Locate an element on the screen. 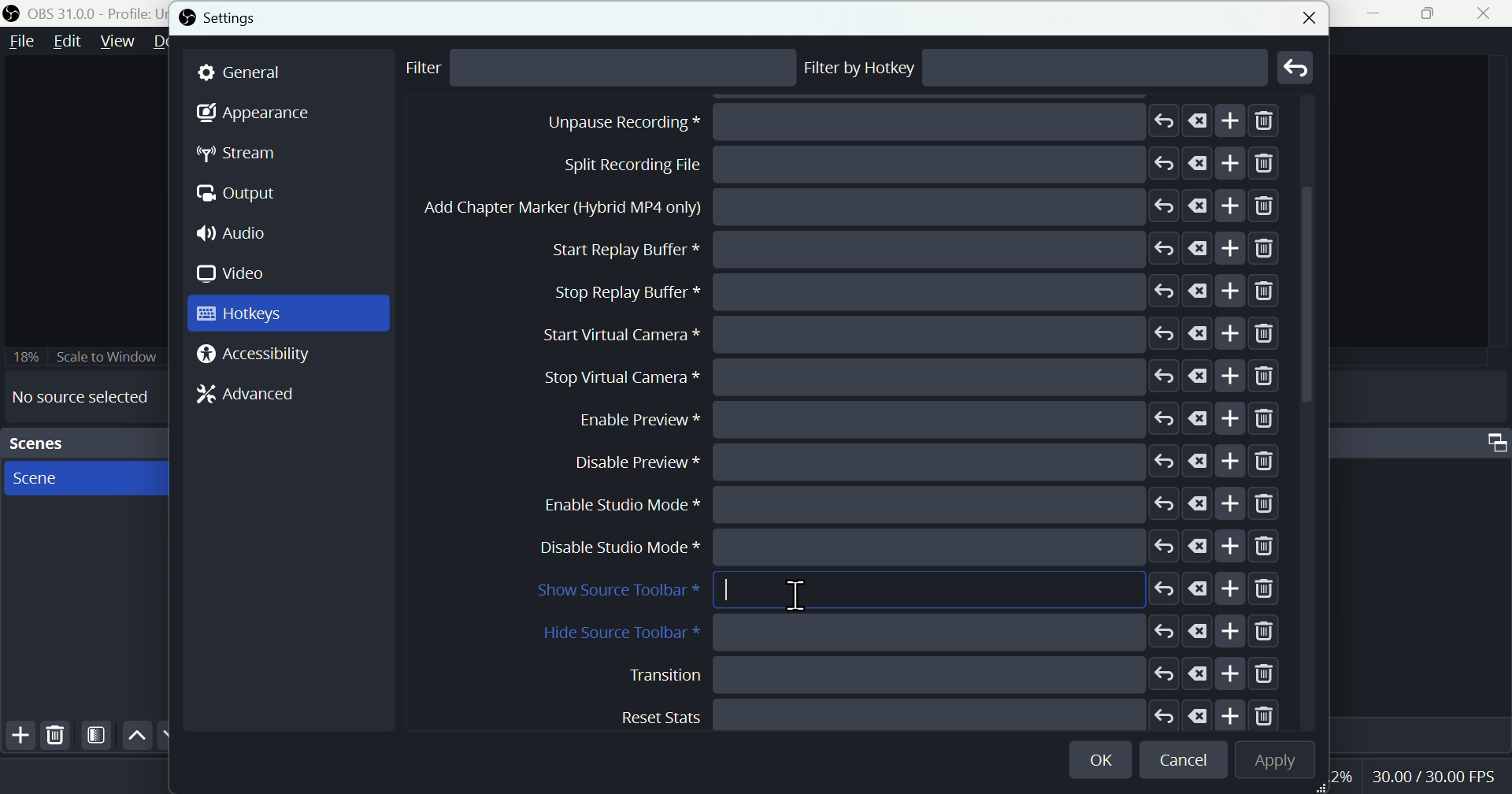  cancel is located at coordinates (1187, 761).